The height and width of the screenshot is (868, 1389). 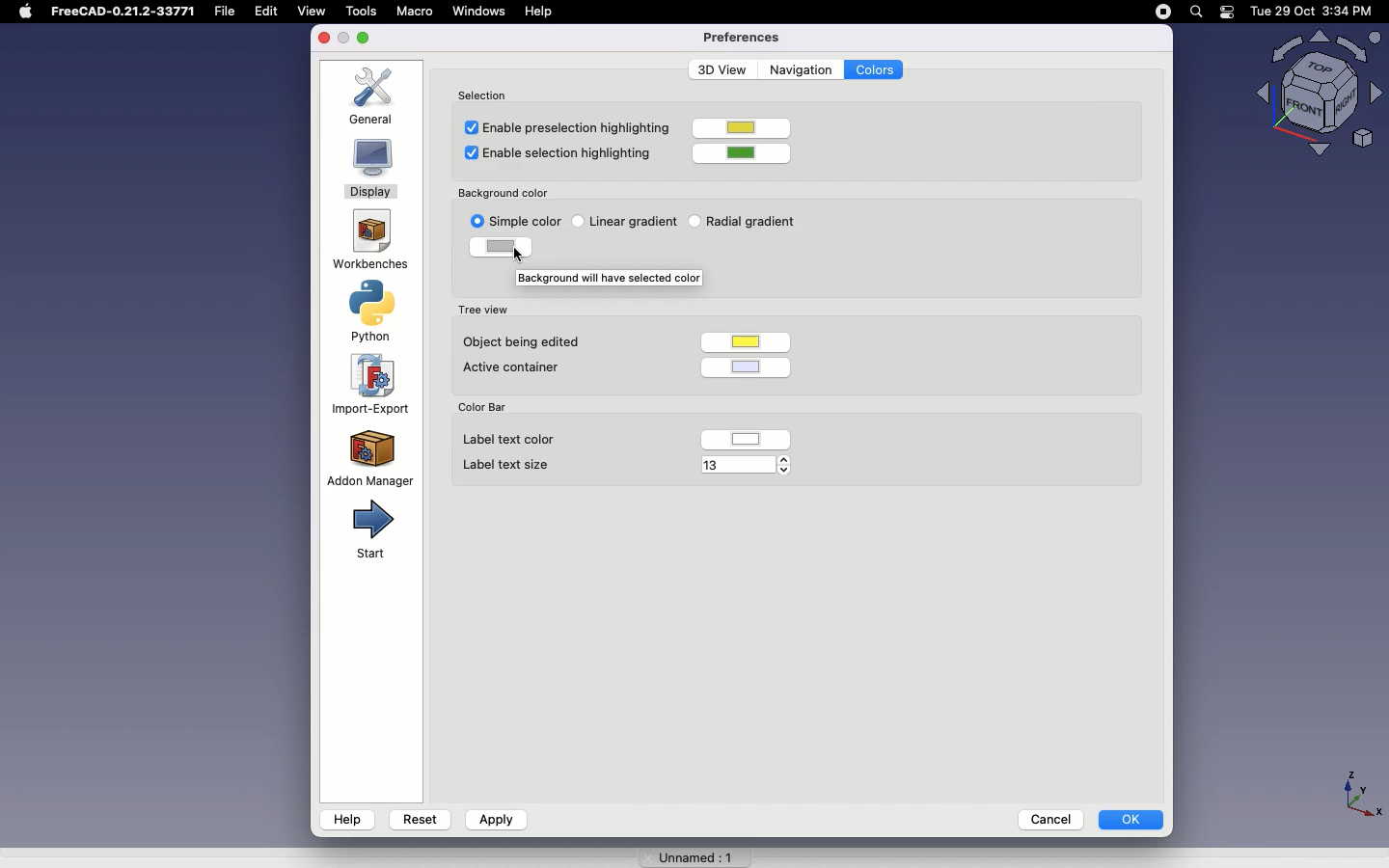 I want to click on file, so click(x=230, y=12).